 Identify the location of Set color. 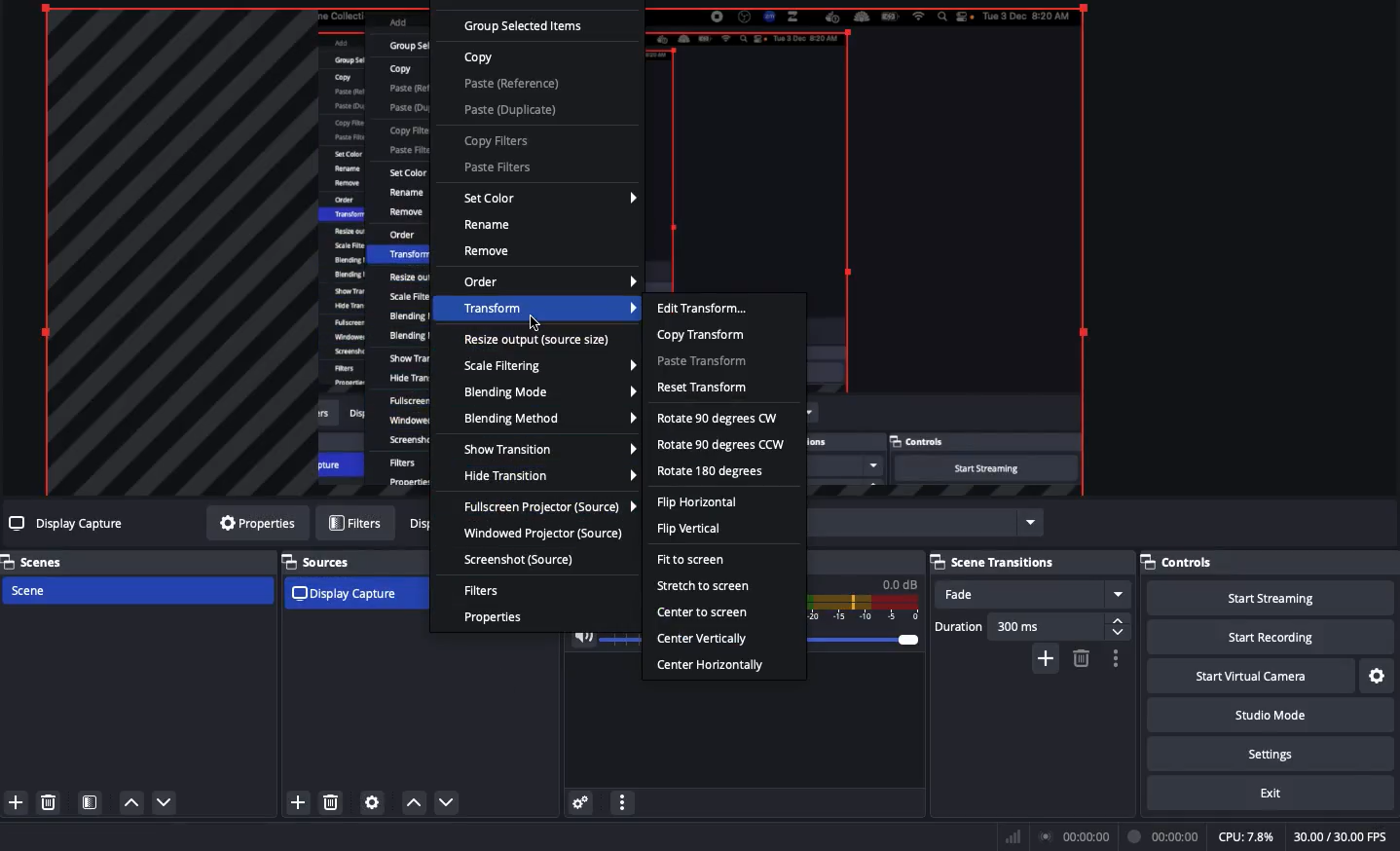
(548, 200).